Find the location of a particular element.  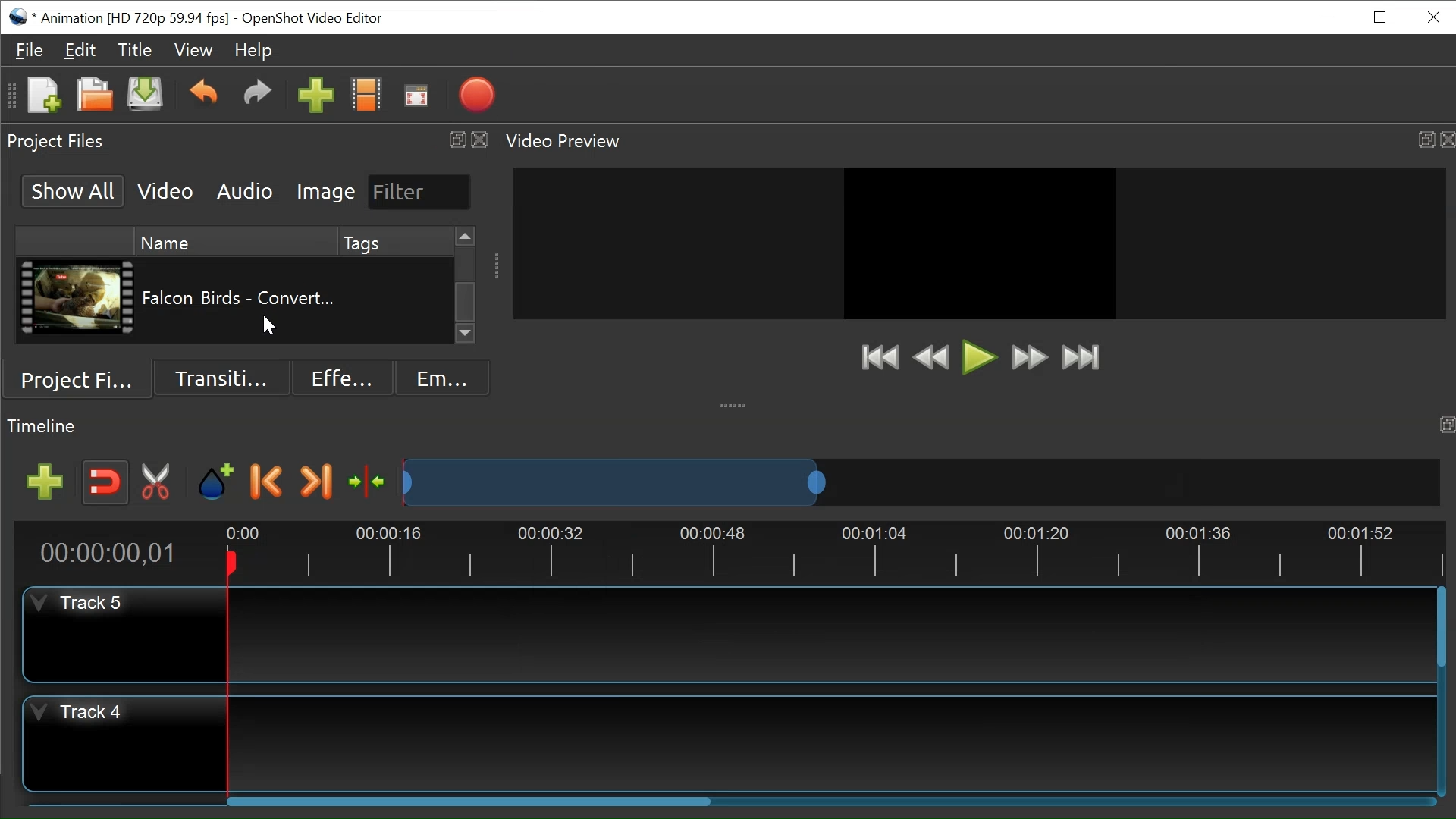

File is located at coordinates (31, 49).